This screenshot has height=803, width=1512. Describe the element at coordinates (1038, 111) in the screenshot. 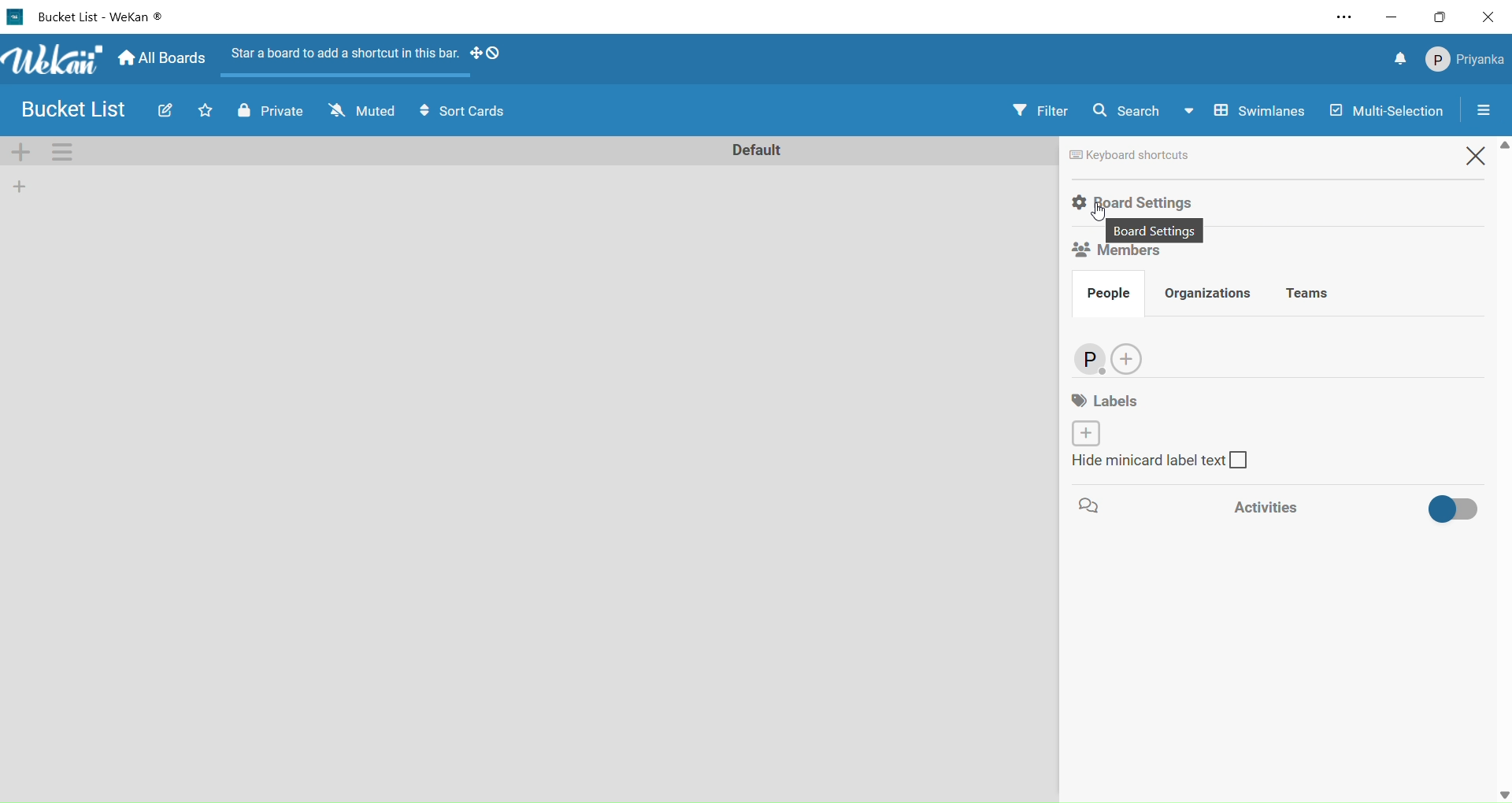

I see `filter` at that location.